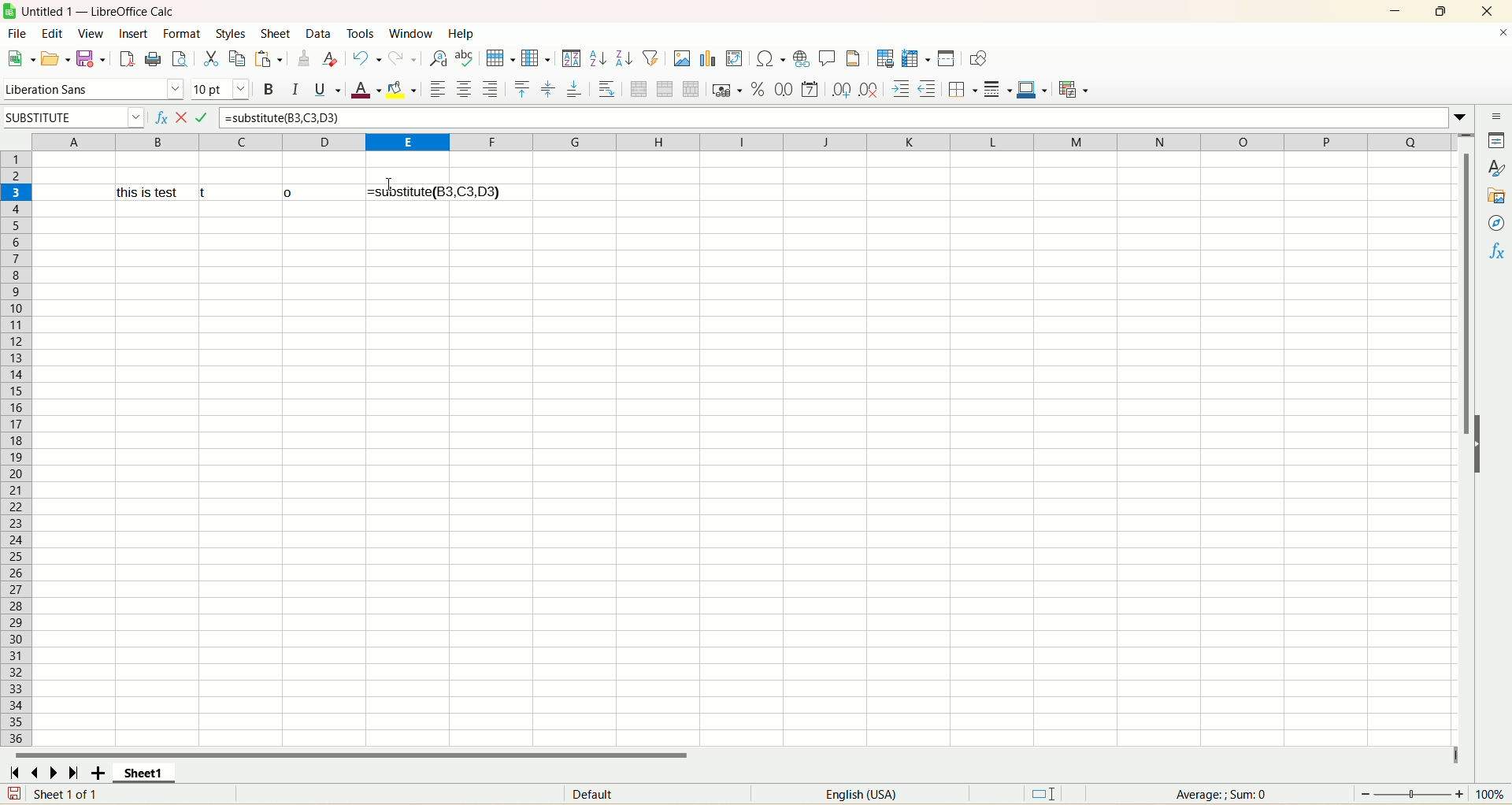 The width and height of the screenshot is (1512, 805). Describe the element at coordinates (88, 57) in the screenshot. I see `save` at that location.